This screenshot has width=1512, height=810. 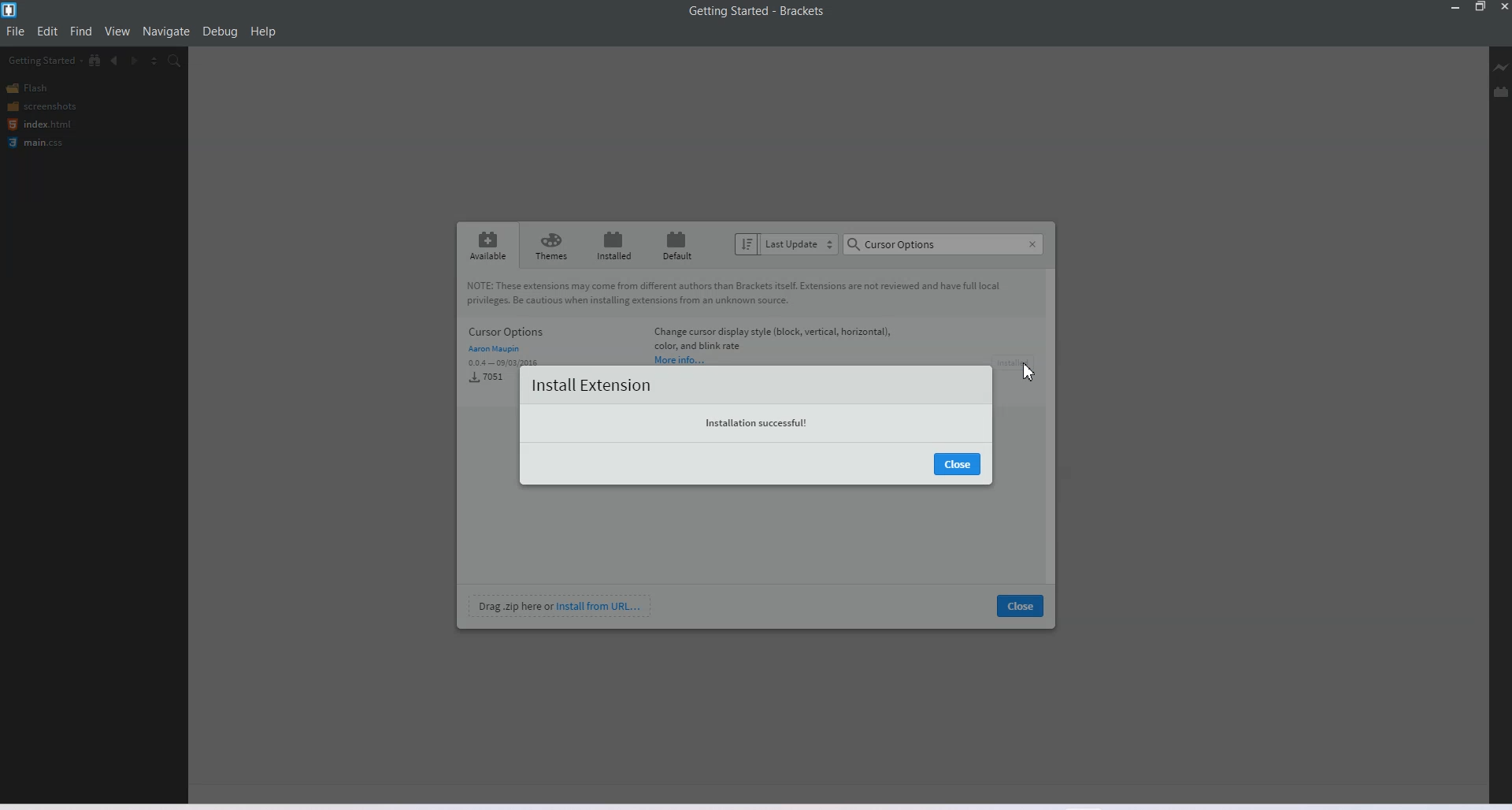 I want to click on File, so click(x=15, y=31).